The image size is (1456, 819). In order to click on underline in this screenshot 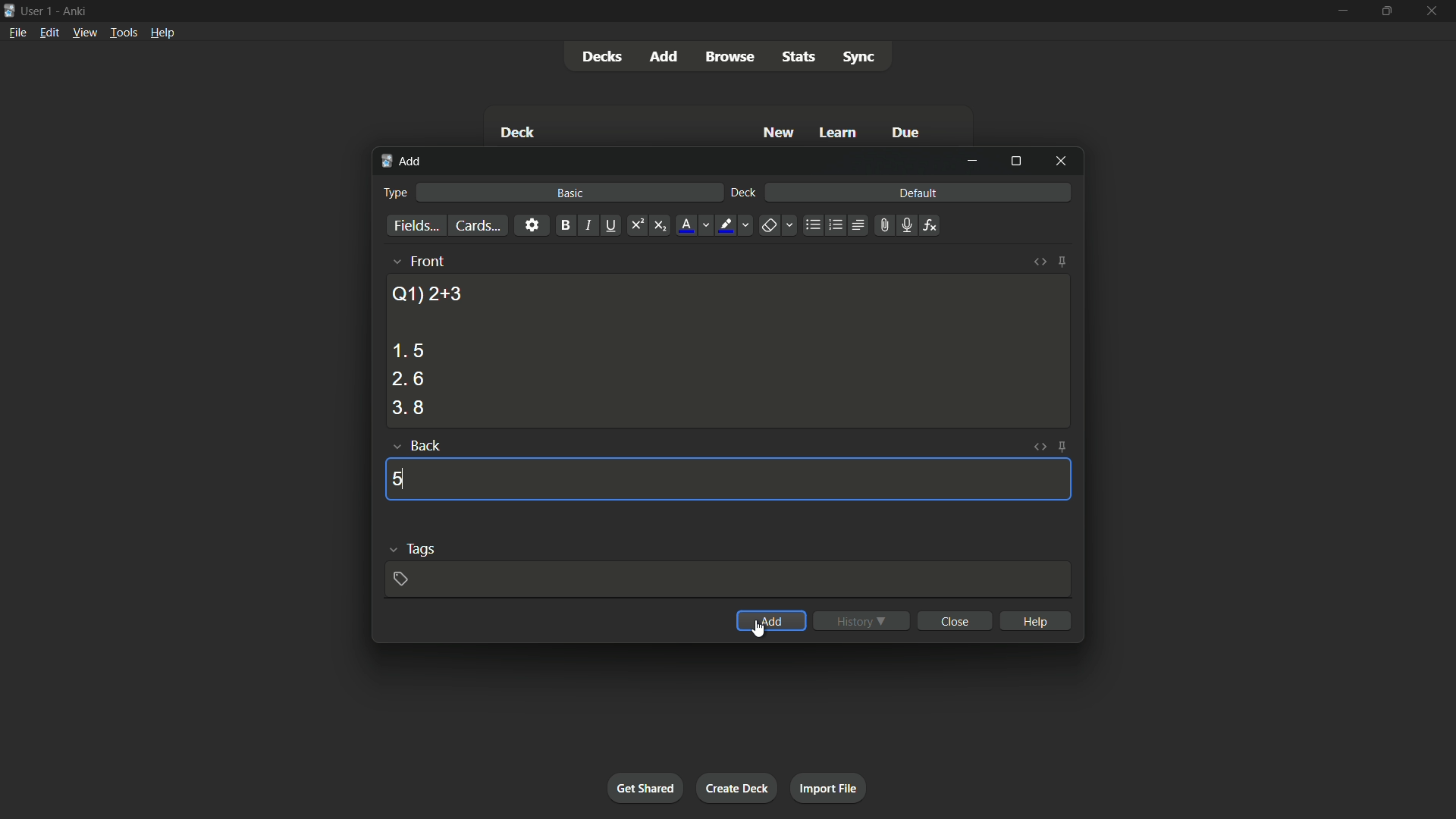, I will do `click(610, 225)`.